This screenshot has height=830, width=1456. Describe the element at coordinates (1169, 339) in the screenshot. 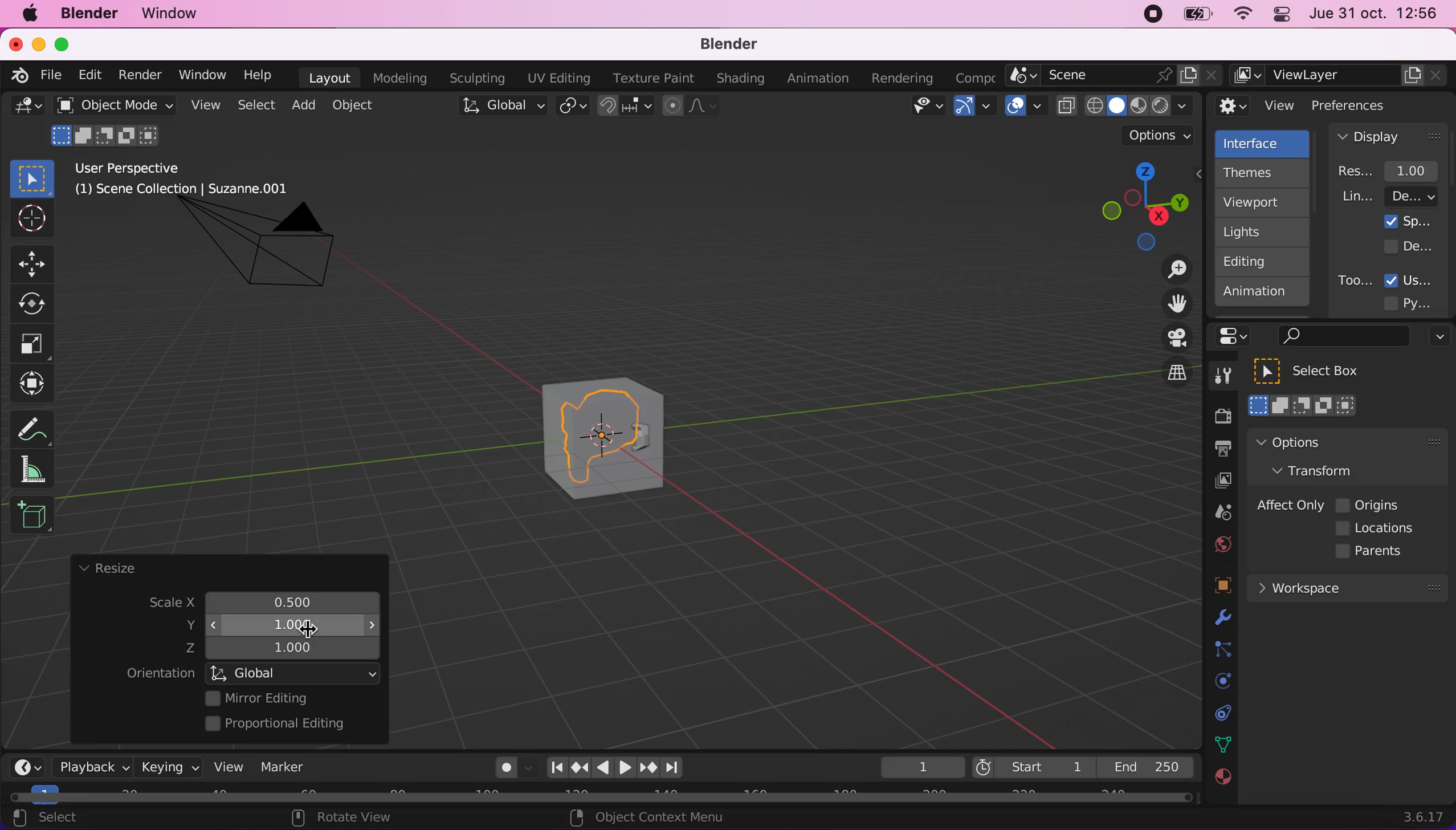

I see `toggle the camera view` at that location.